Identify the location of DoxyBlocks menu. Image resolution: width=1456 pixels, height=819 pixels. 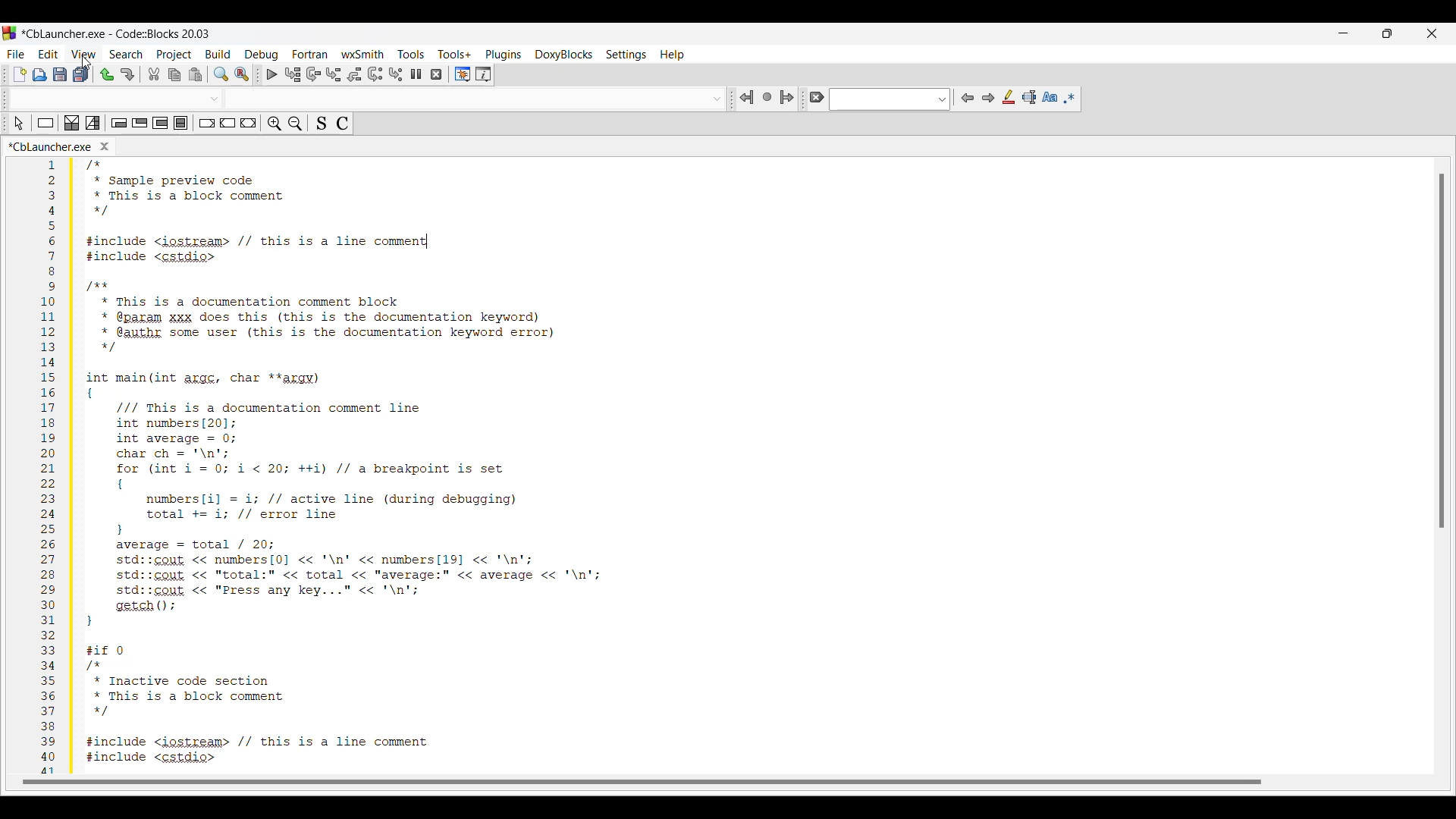
(563, 55).